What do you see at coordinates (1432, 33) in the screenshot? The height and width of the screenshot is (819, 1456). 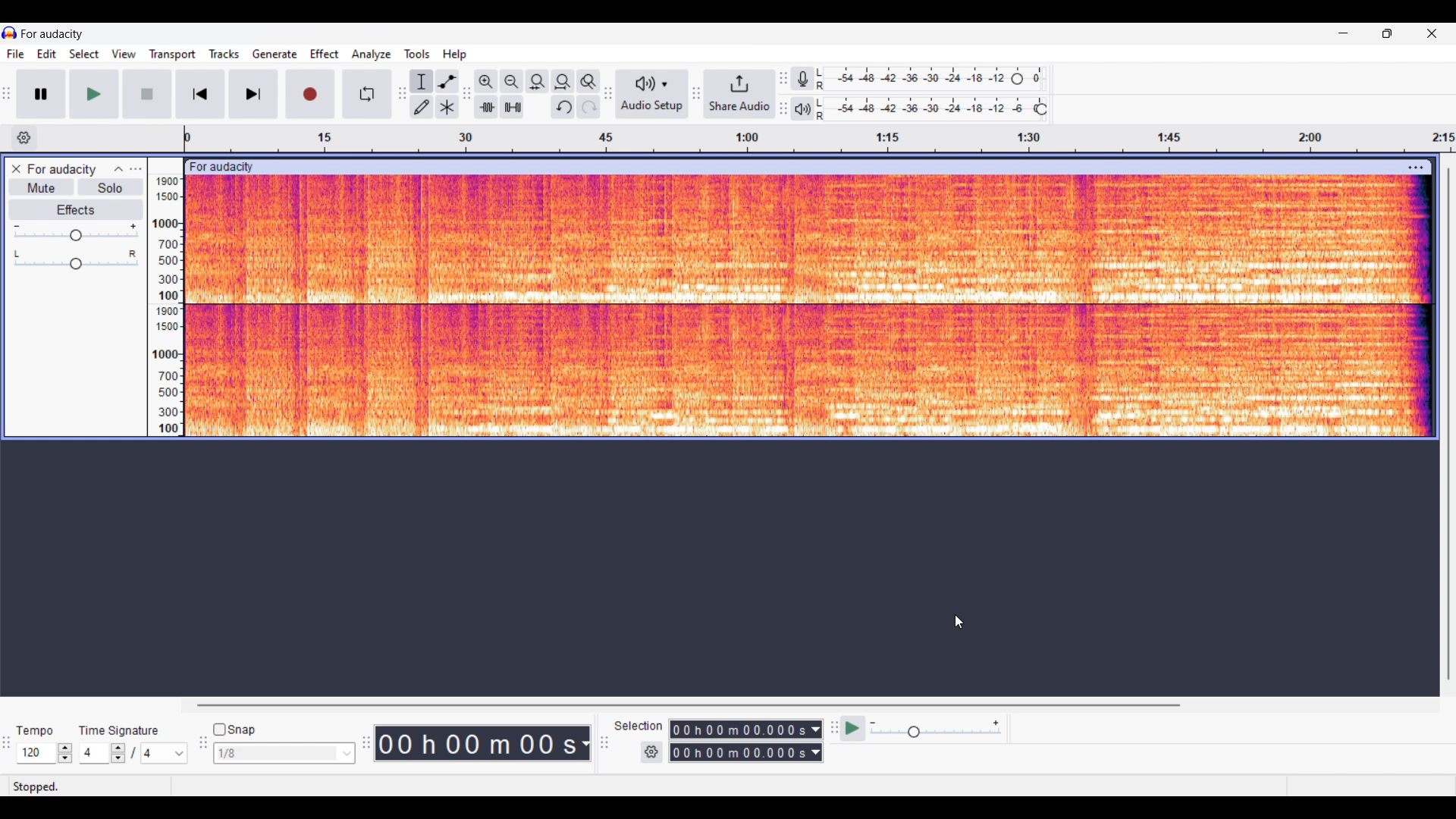 I see `Close interface` at bounding box center [1432, 33].